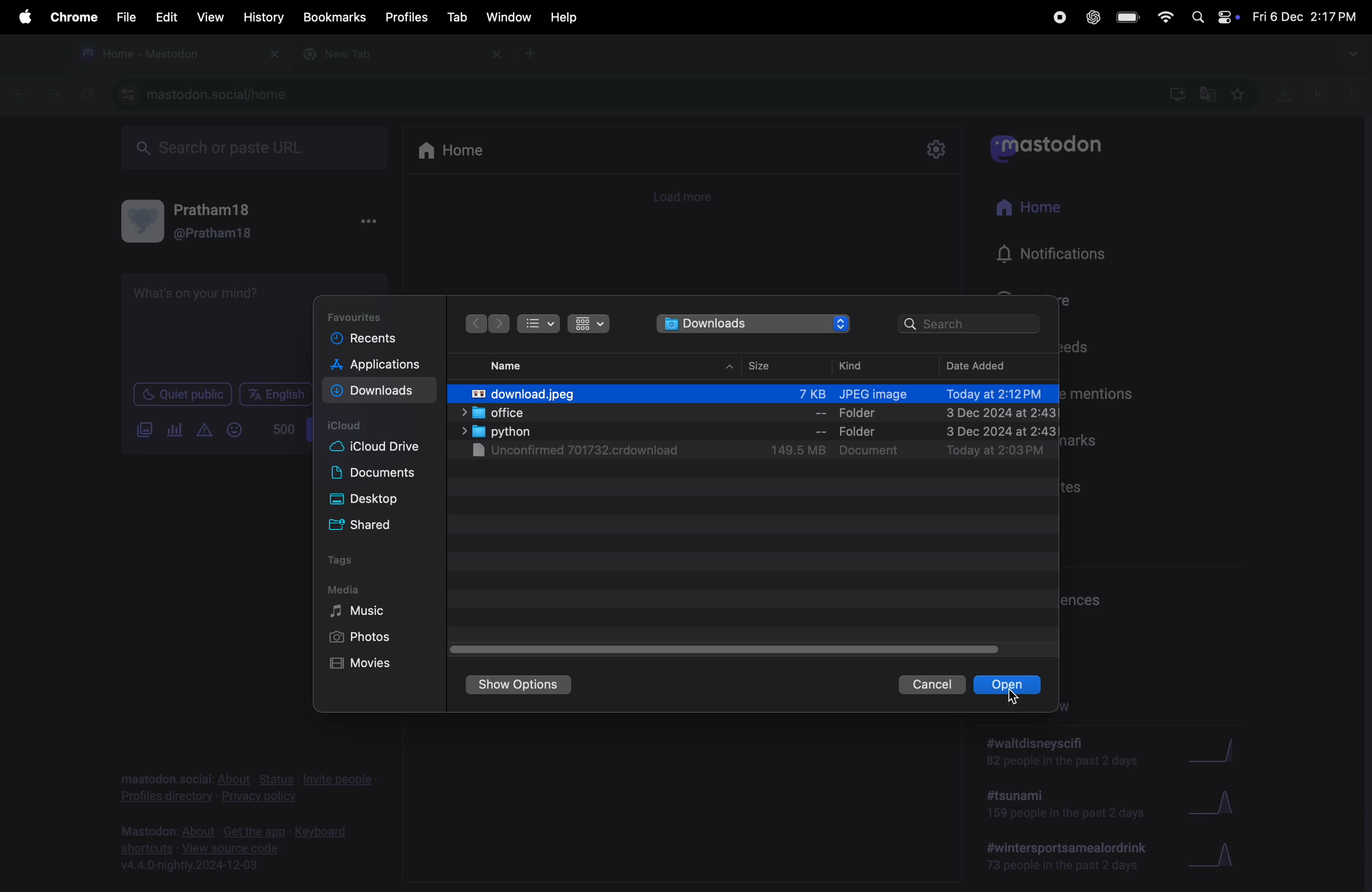  I want to click on searchbar, so click(972, 324).